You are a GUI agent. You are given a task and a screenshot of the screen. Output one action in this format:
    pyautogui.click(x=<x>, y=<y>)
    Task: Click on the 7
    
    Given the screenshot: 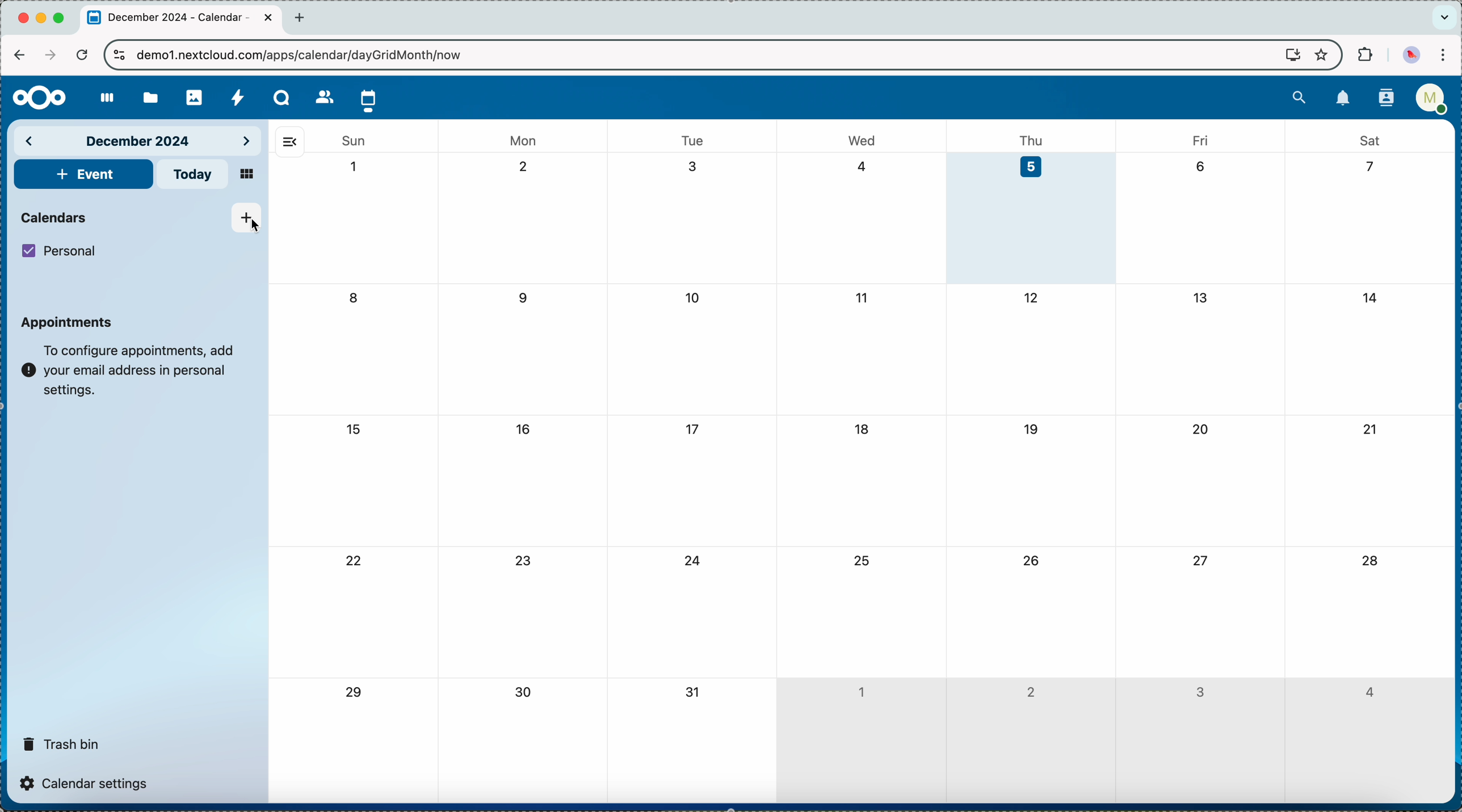 What is the action you would take?
    pyautogui.click(x=1365, y=167)
    